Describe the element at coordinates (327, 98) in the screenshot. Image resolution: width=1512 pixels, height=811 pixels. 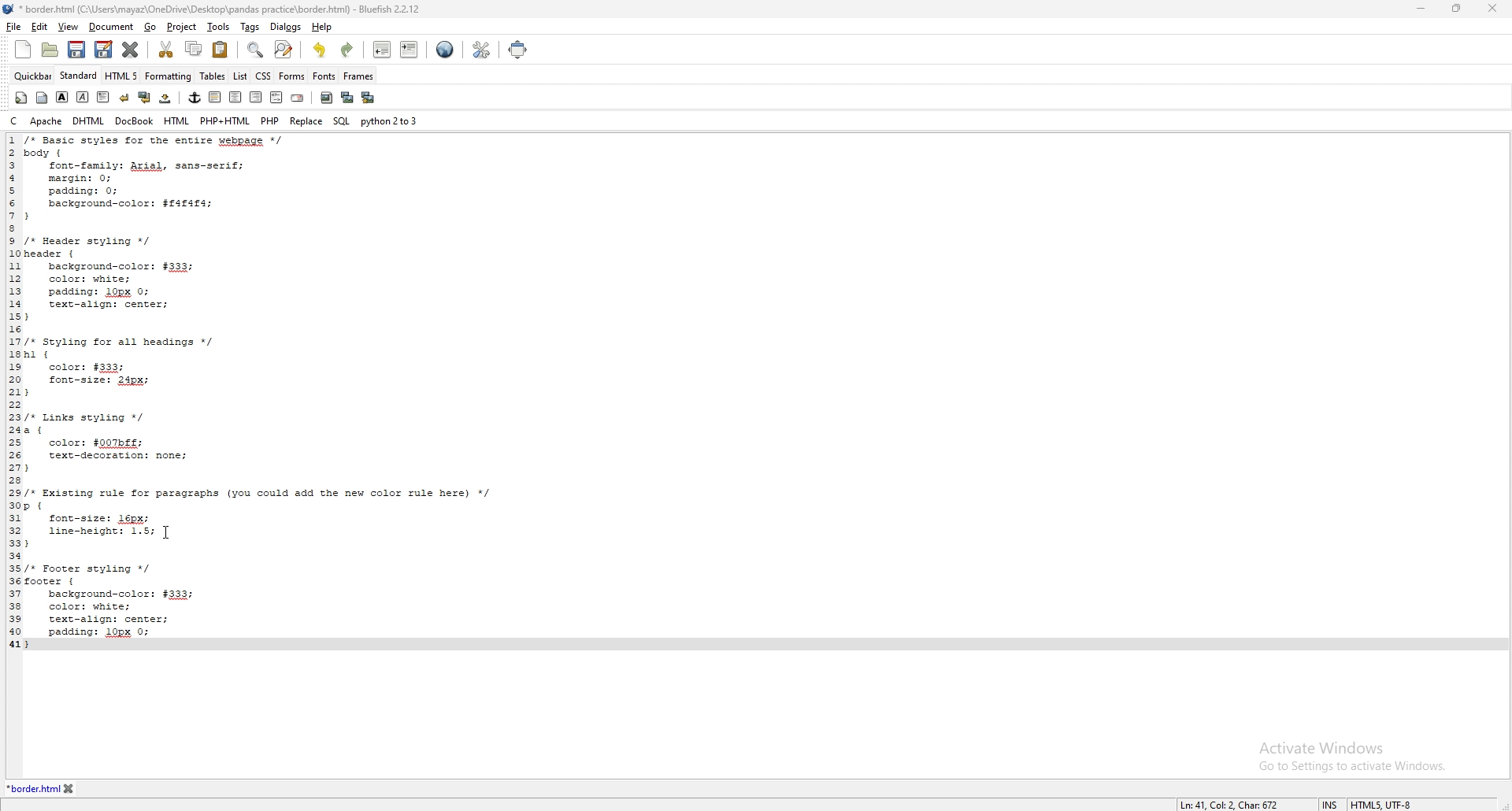
I see `insert image` at that location.